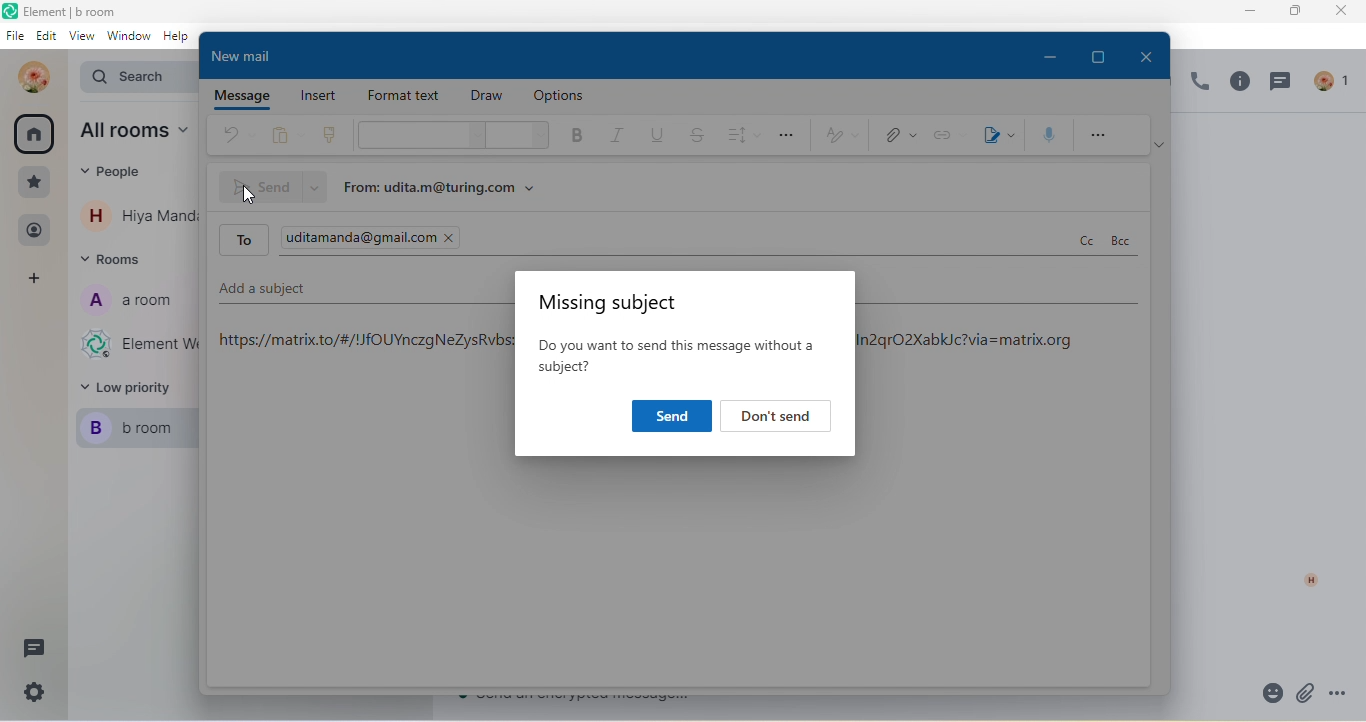 This screenshot has height=722, width=1366. What do you see at coordinates (698, 136) in the screenshot?
I see `strickthrough` at bounding box center [698, 136].